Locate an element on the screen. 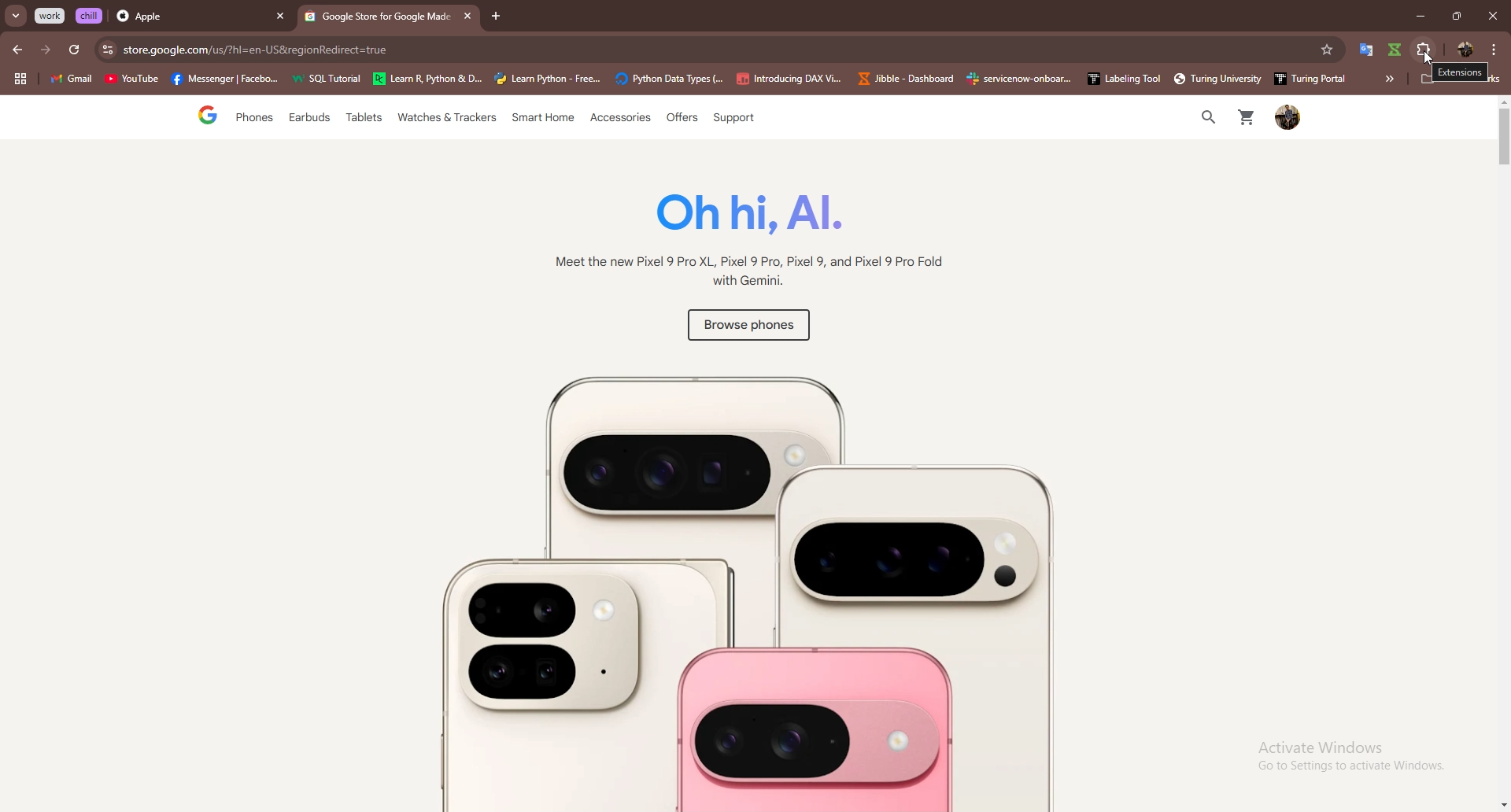  Messenger|Faceb is located at coordinates (227, 79).